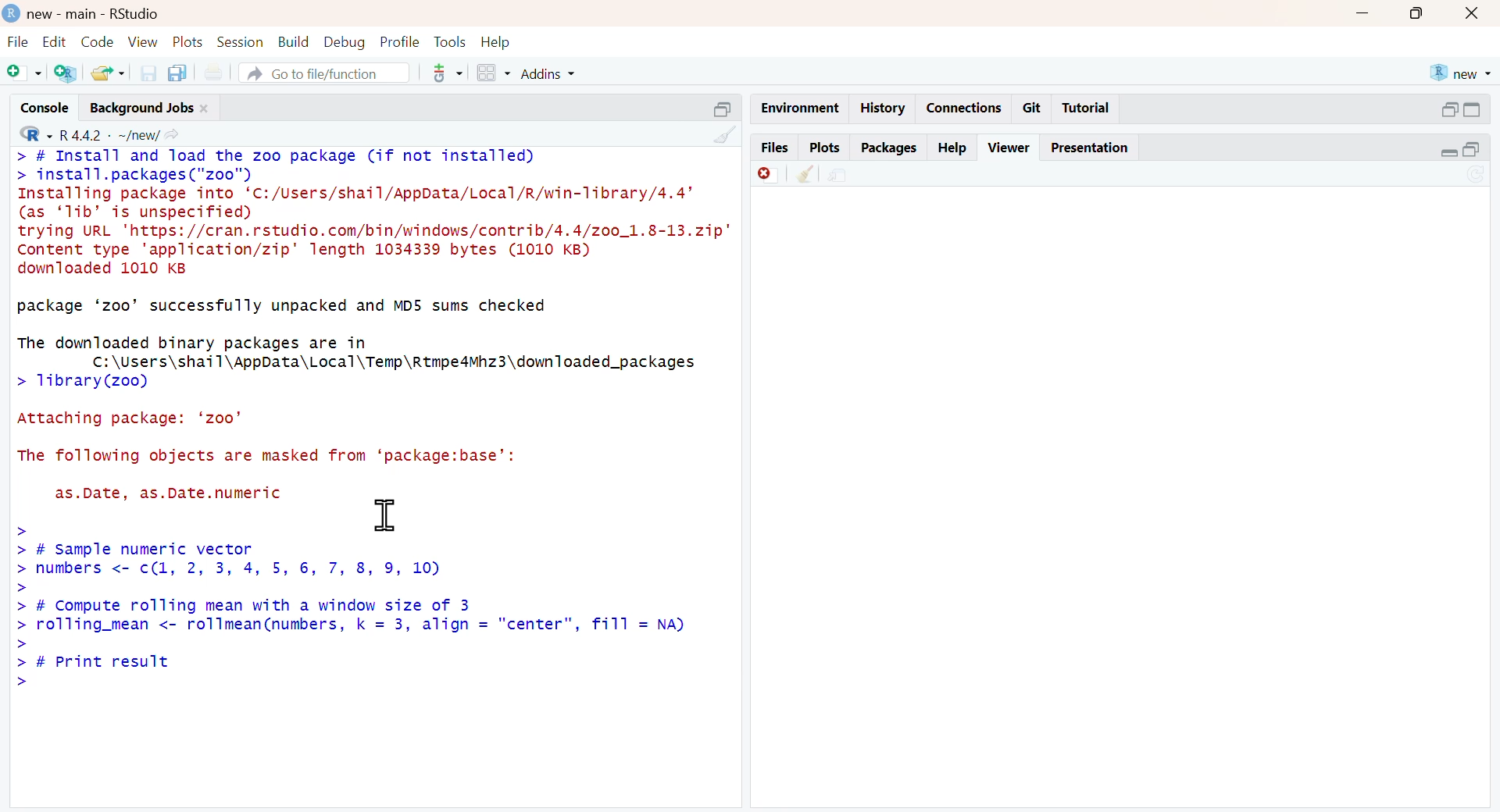 The image size is (1500, 812). What do you see at coordinates (241, 41) in the screenshot?
I see `session` at bounding box center [241, 41].